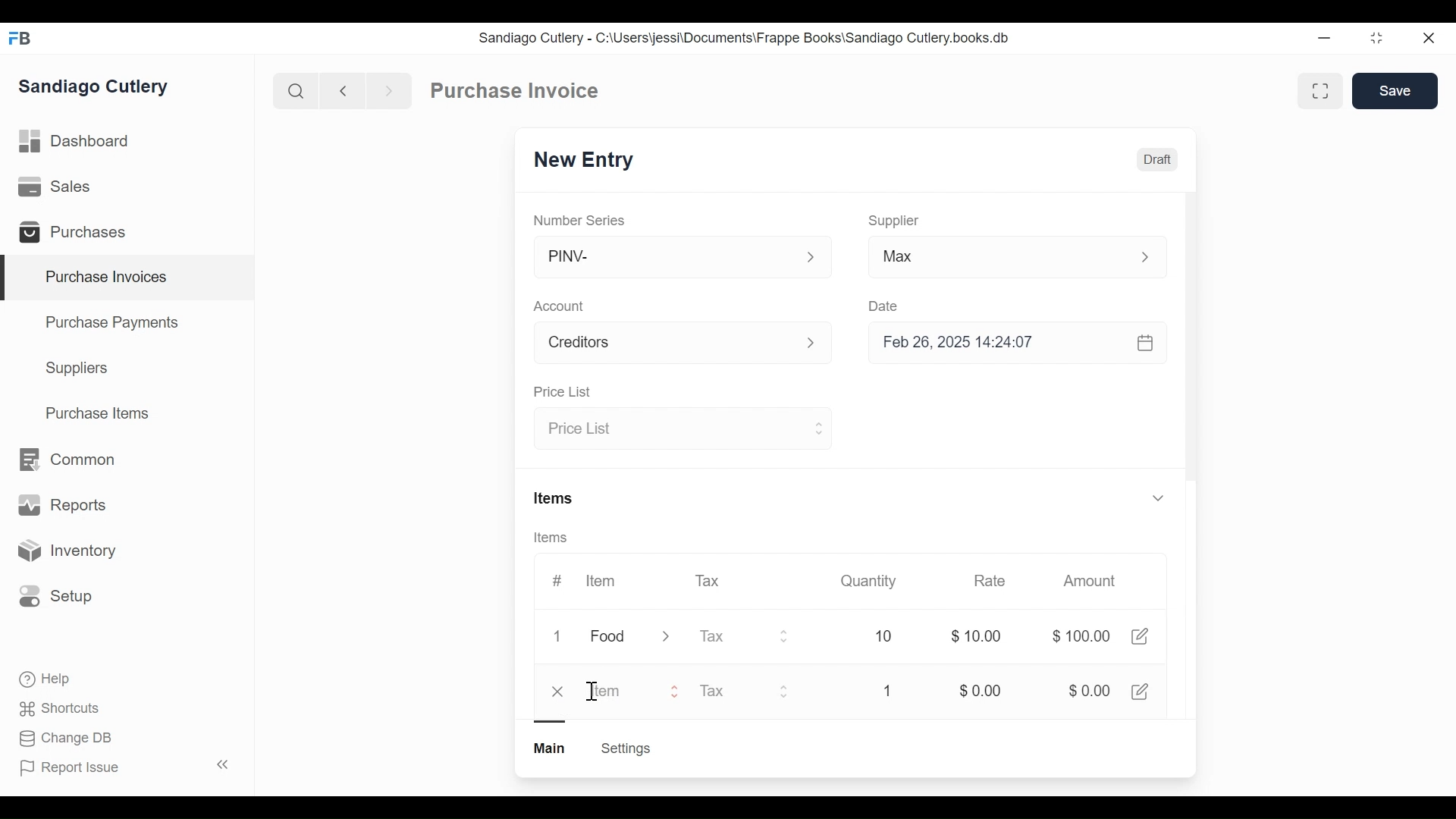  What do you see at coordinates (787, 691) in the screenshot?
I see `Expand` at bounding box center [787, 691].